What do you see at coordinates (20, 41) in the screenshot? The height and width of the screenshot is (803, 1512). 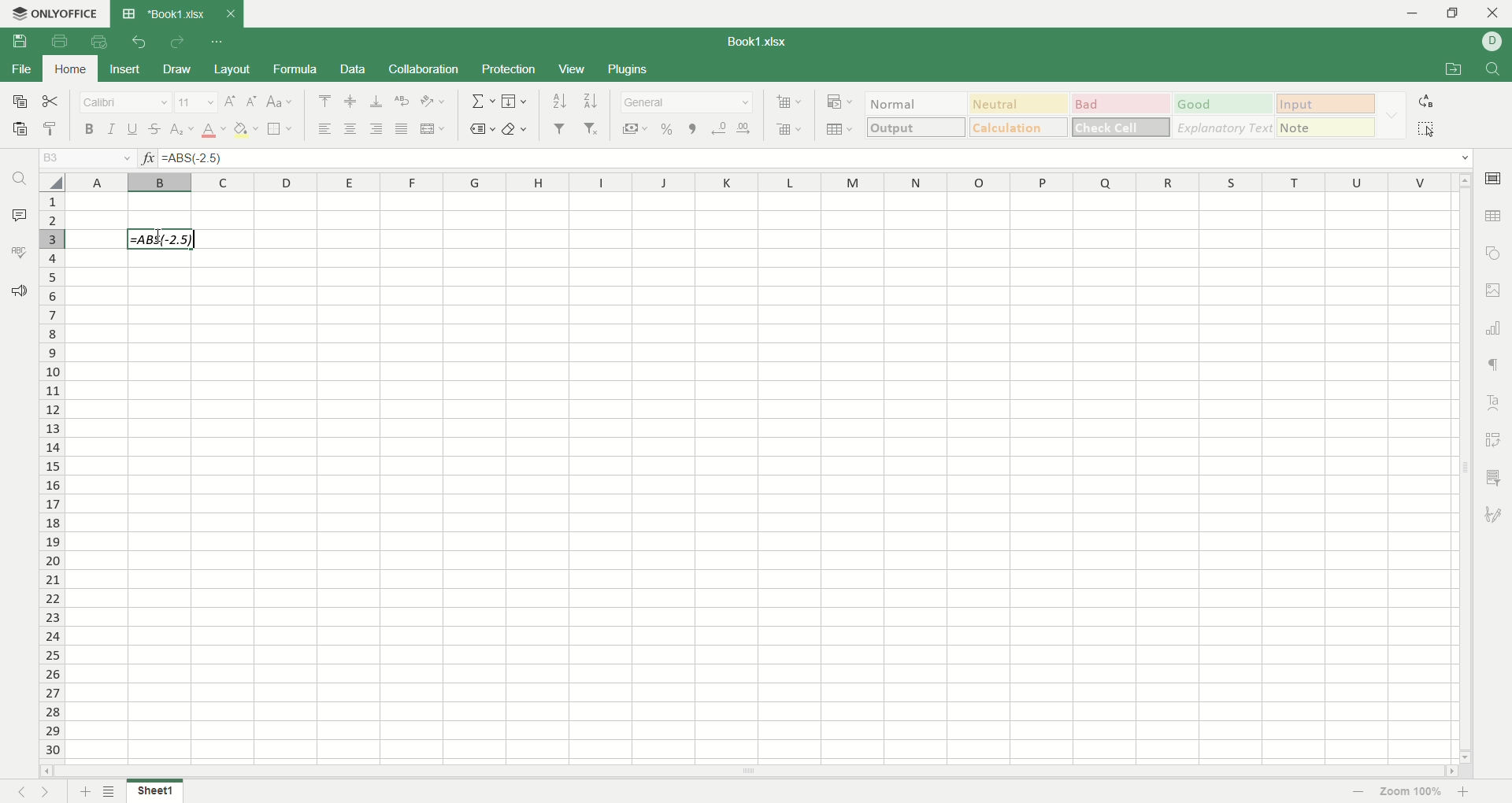 I see `save` at bounding box center [20, 41].